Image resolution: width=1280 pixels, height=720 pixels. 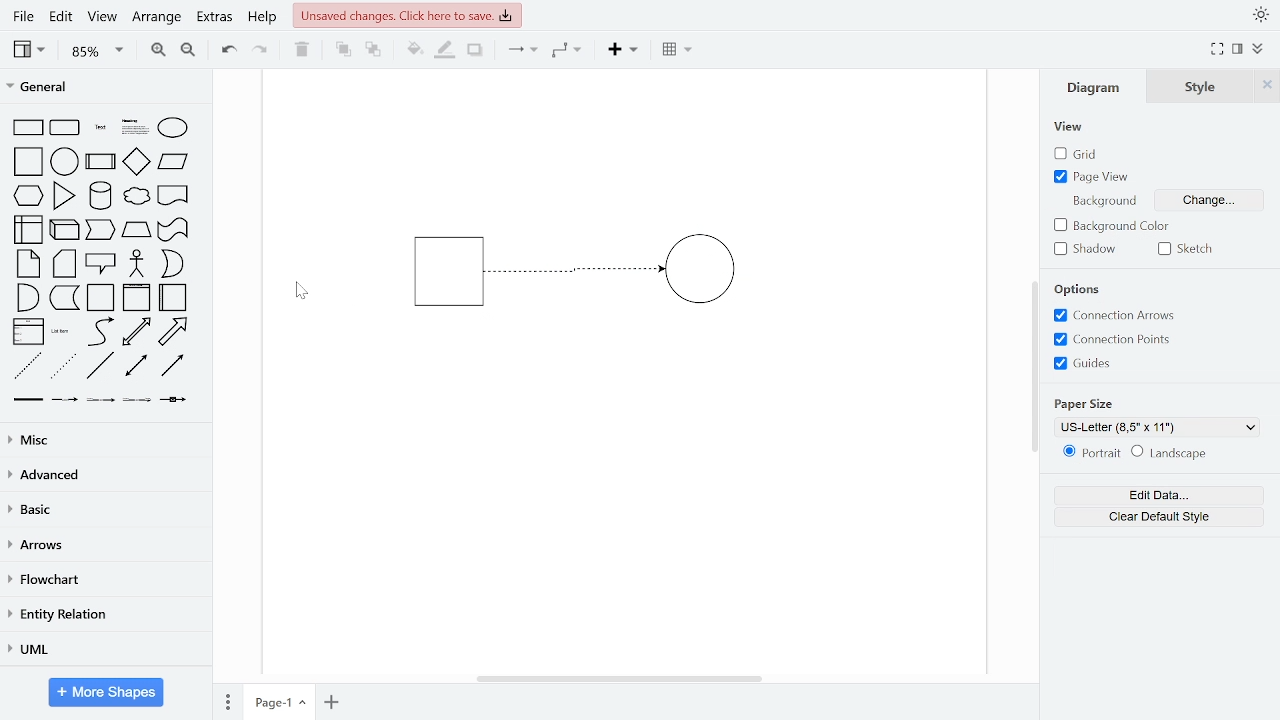 I want to click on text box, so click(x=136, y=129).